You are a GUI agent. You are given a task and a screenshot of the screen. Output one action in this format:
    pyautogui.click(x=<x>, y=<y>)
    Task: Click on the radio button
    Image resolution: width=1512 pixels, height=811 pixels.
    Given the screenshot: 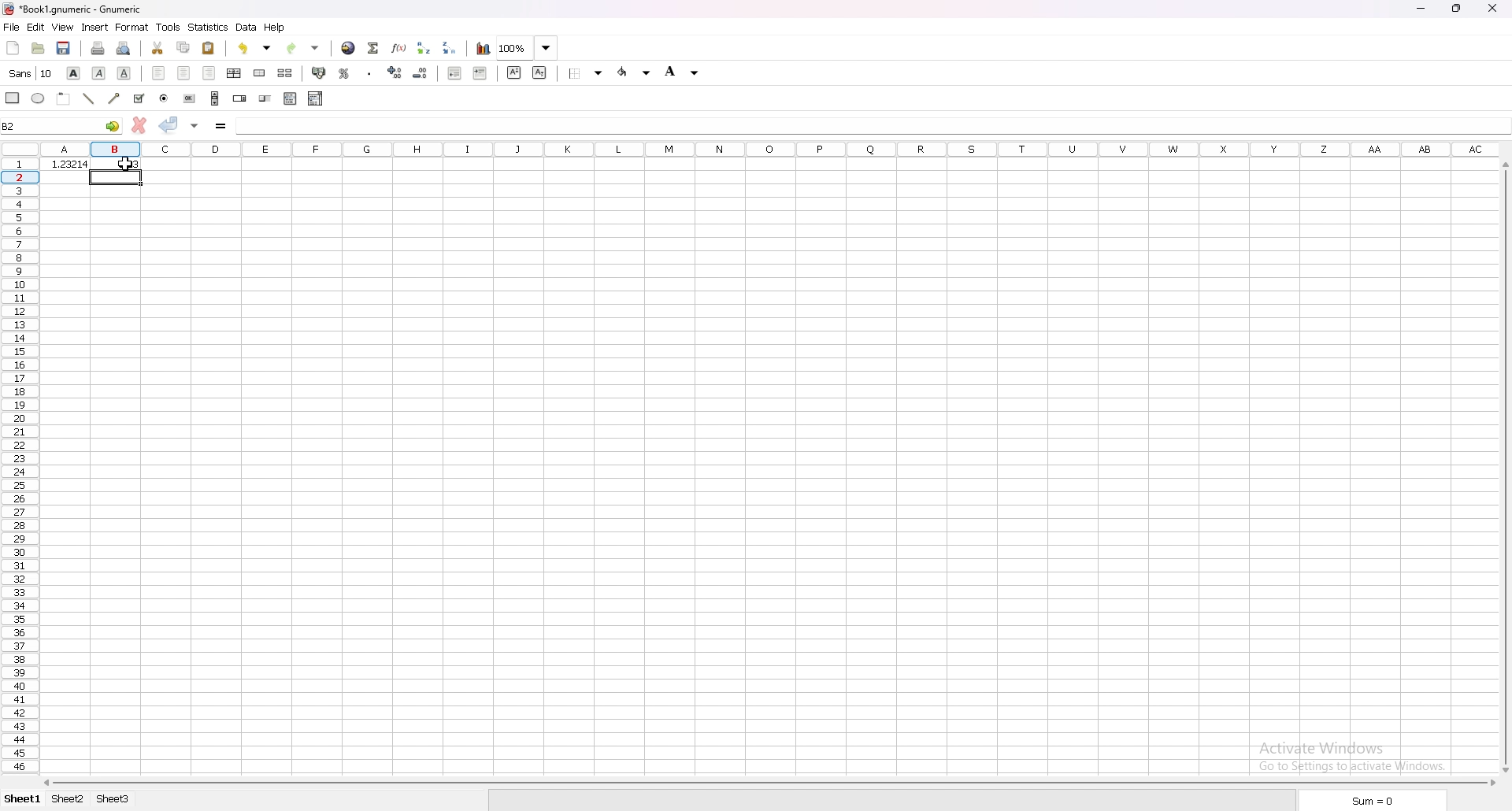 What is the action you would take?
    pyautogui.click(x=165, y=98)
    